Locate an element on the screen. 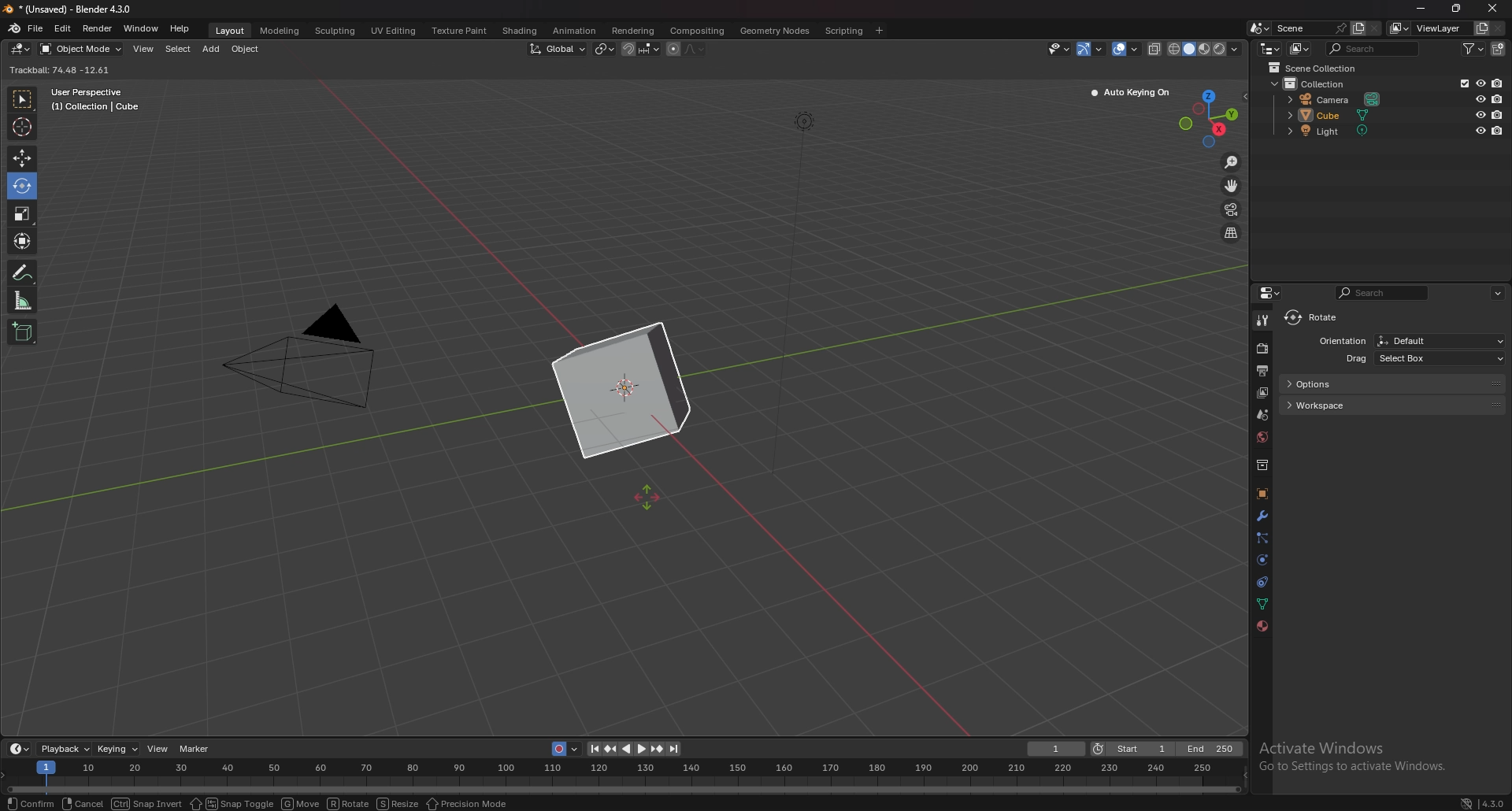 Image resolution: width=1512 pixels, height=811 pixels. snap toggle is located at coordinates (229, 803).